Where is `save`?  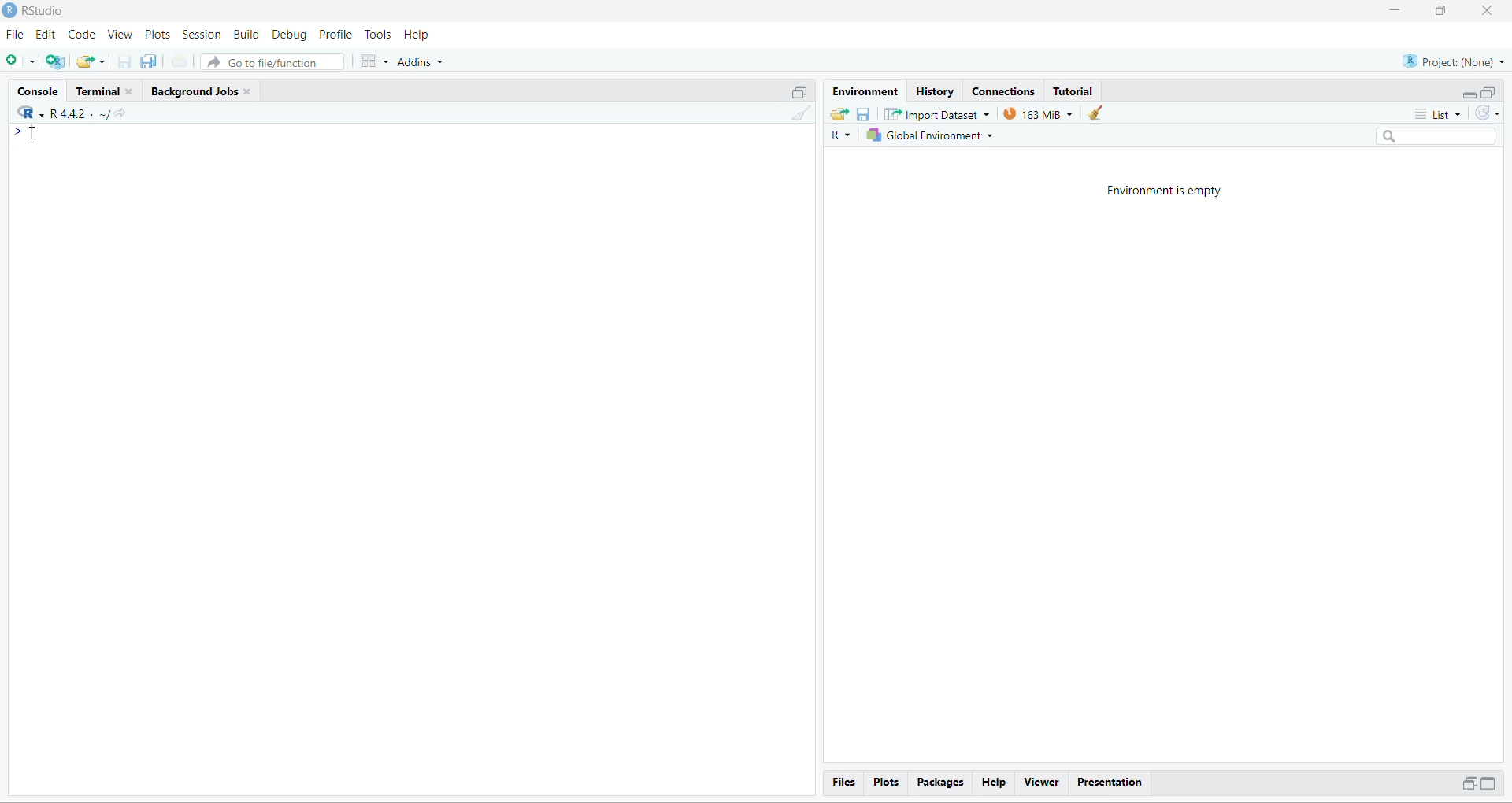 save is located at coordinates (862, 114).